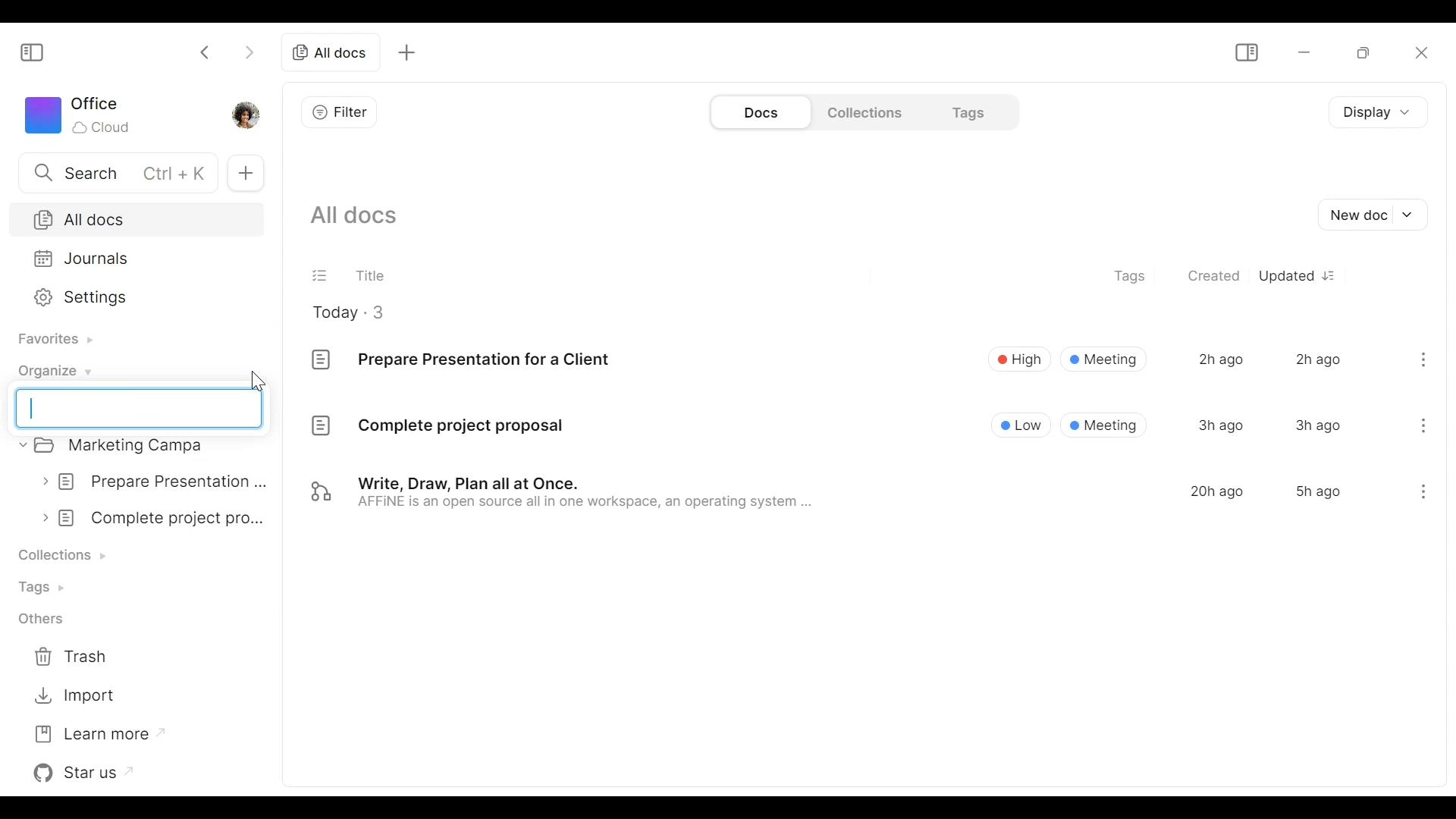 The height and width of the screenshot is (819, 1456). What do you see at coordinates (48, 587) in the screenshot?
I see `Tags` at bounding box center [48, 587].